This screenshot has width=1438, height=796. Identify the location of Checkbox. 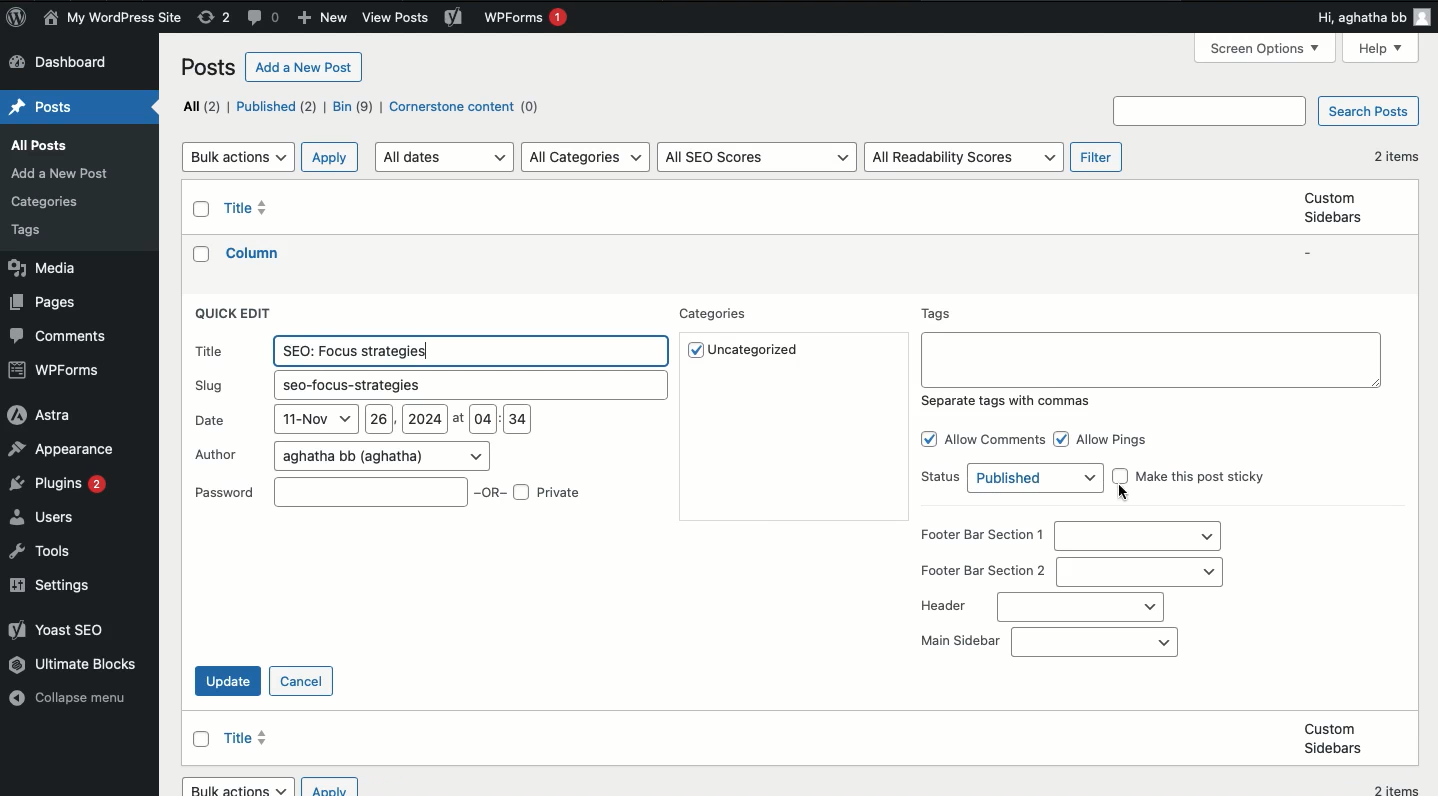
(203, 210).